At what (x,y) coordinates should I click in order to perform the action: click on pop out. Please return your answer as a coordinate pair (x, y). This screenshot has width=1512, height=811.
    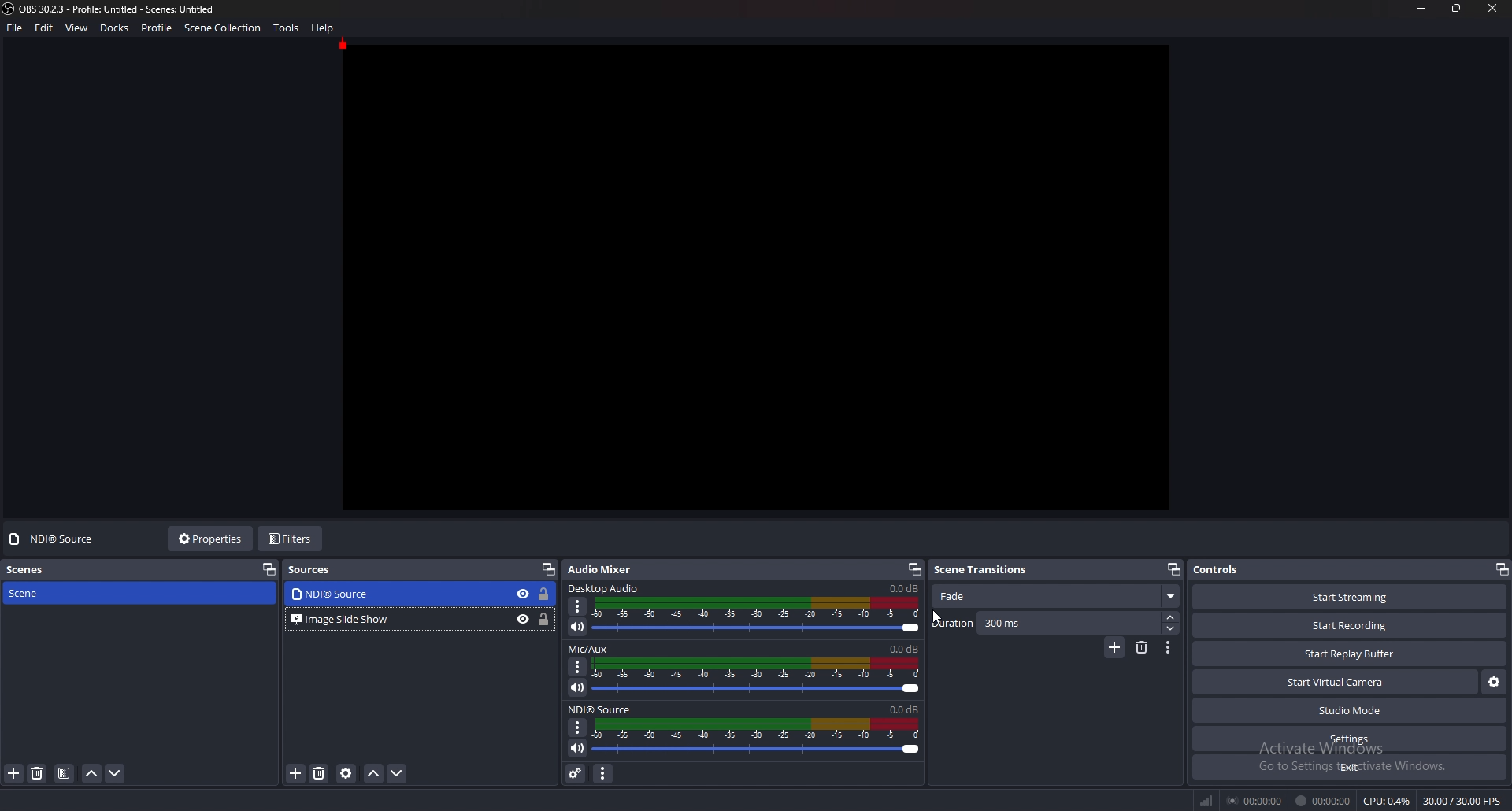
    Looking at the image, I should click on (1503, 569).